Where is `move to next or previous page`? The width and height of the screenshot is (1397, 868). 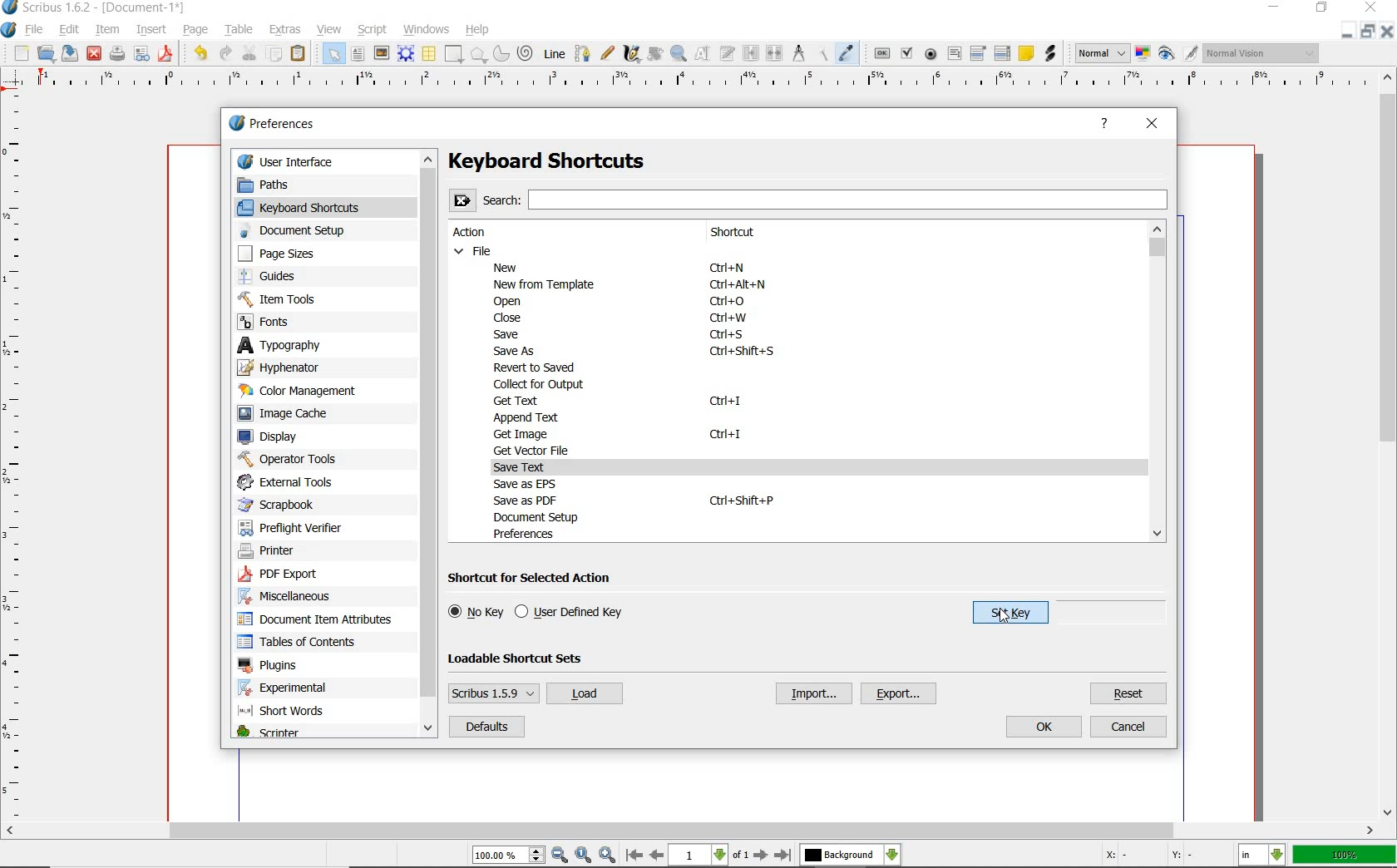
move to next or previous page is located at coordinates (708, 856).